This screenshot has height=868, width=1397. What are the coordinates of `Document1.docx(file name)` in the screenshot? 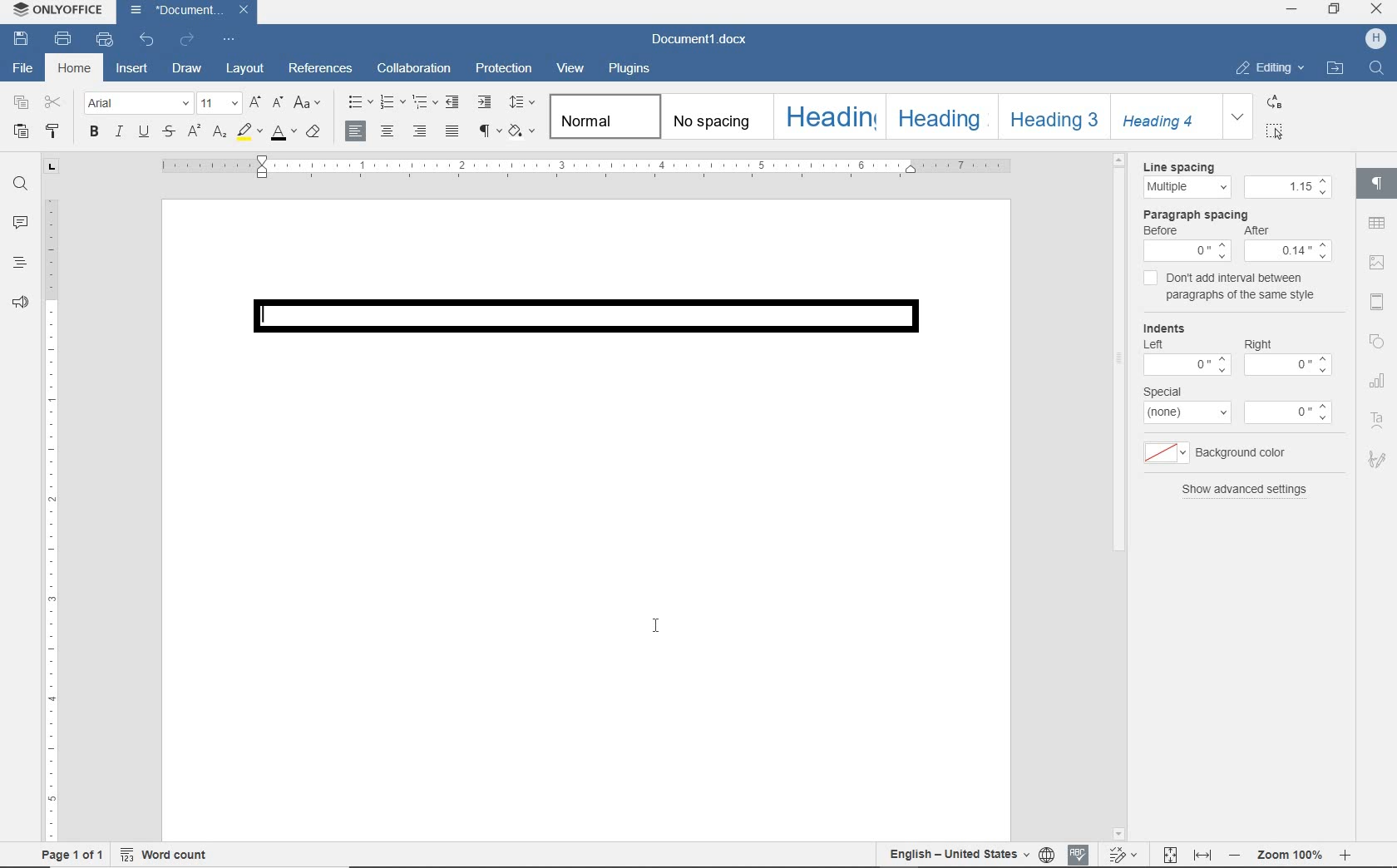 It's located at (187, 11).